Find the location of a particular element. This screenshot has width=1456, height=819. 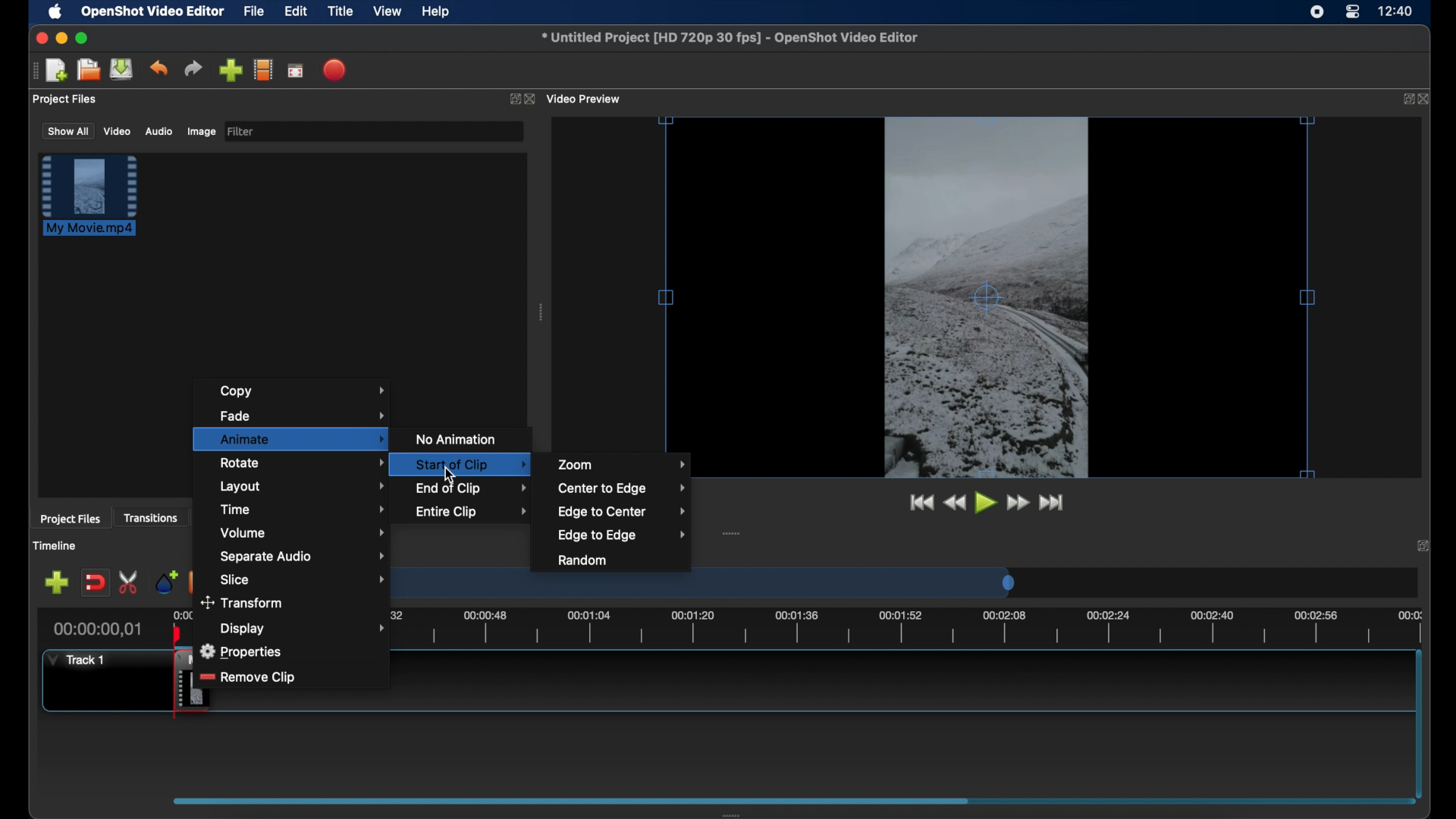

jump to start is located at coordinates (1053, 502).